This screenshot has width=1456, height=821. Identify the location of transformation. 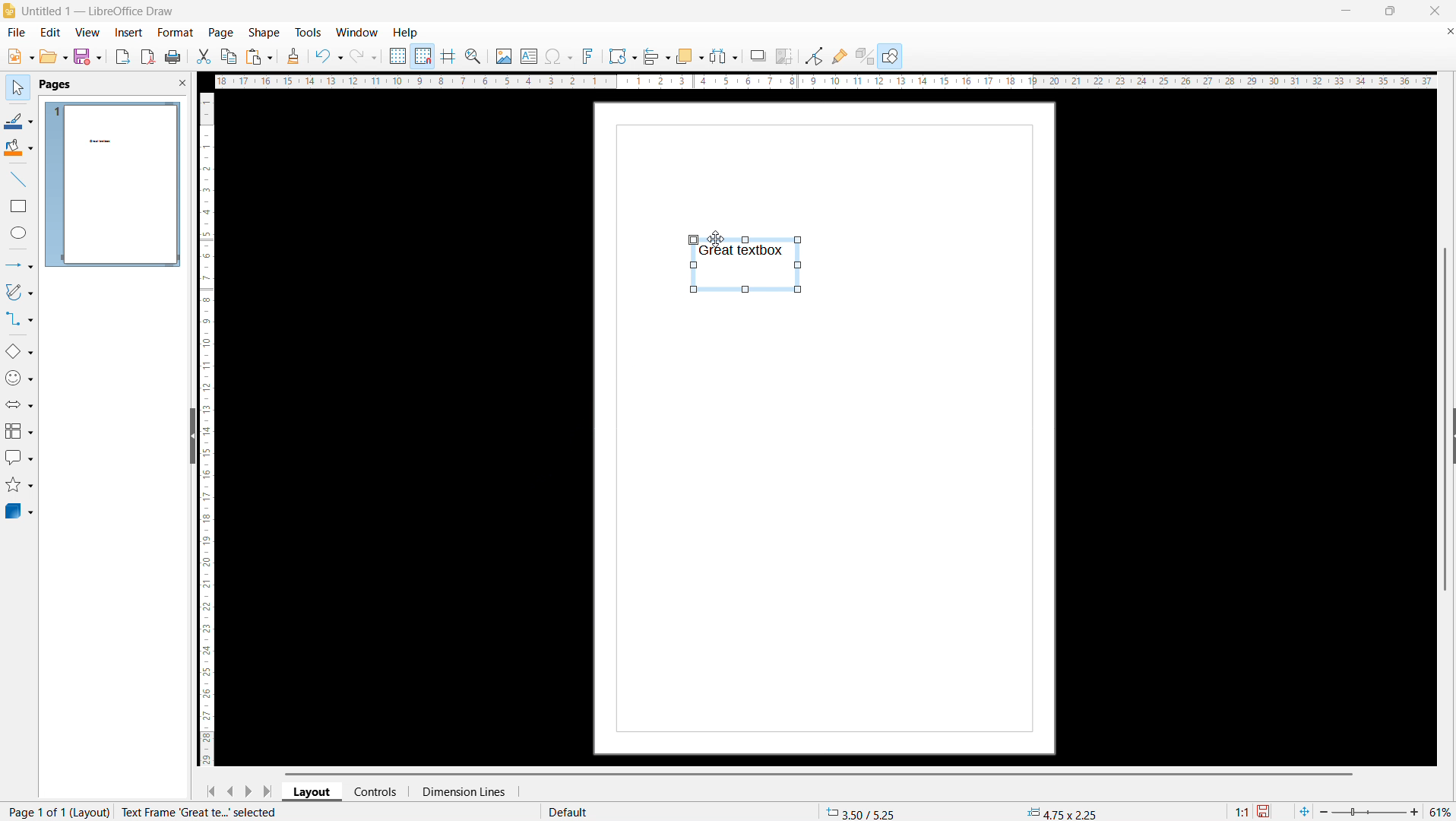
(622, 55).